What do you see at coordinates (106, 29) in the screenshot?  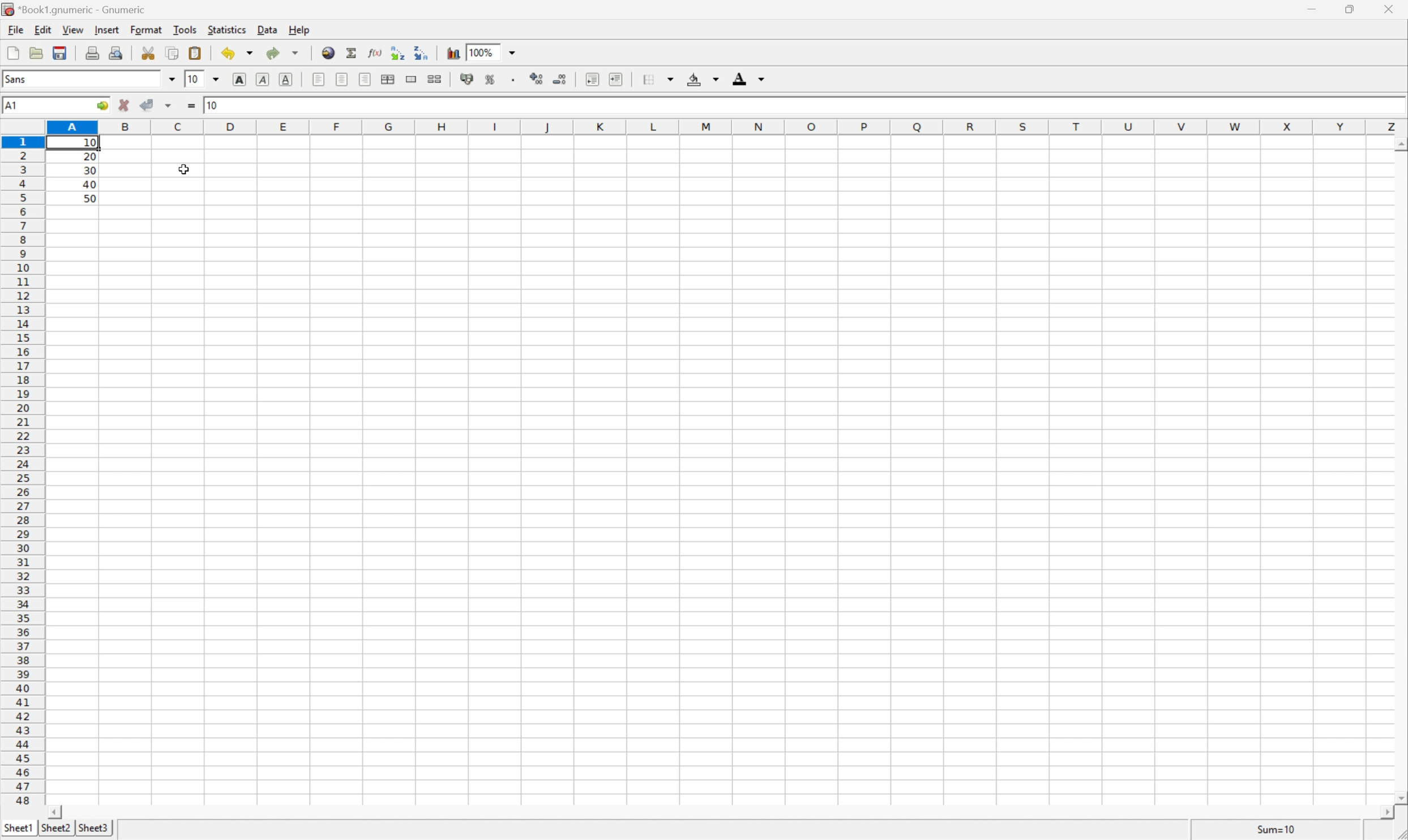 I see `Insert` at bounding box center [106, 29].